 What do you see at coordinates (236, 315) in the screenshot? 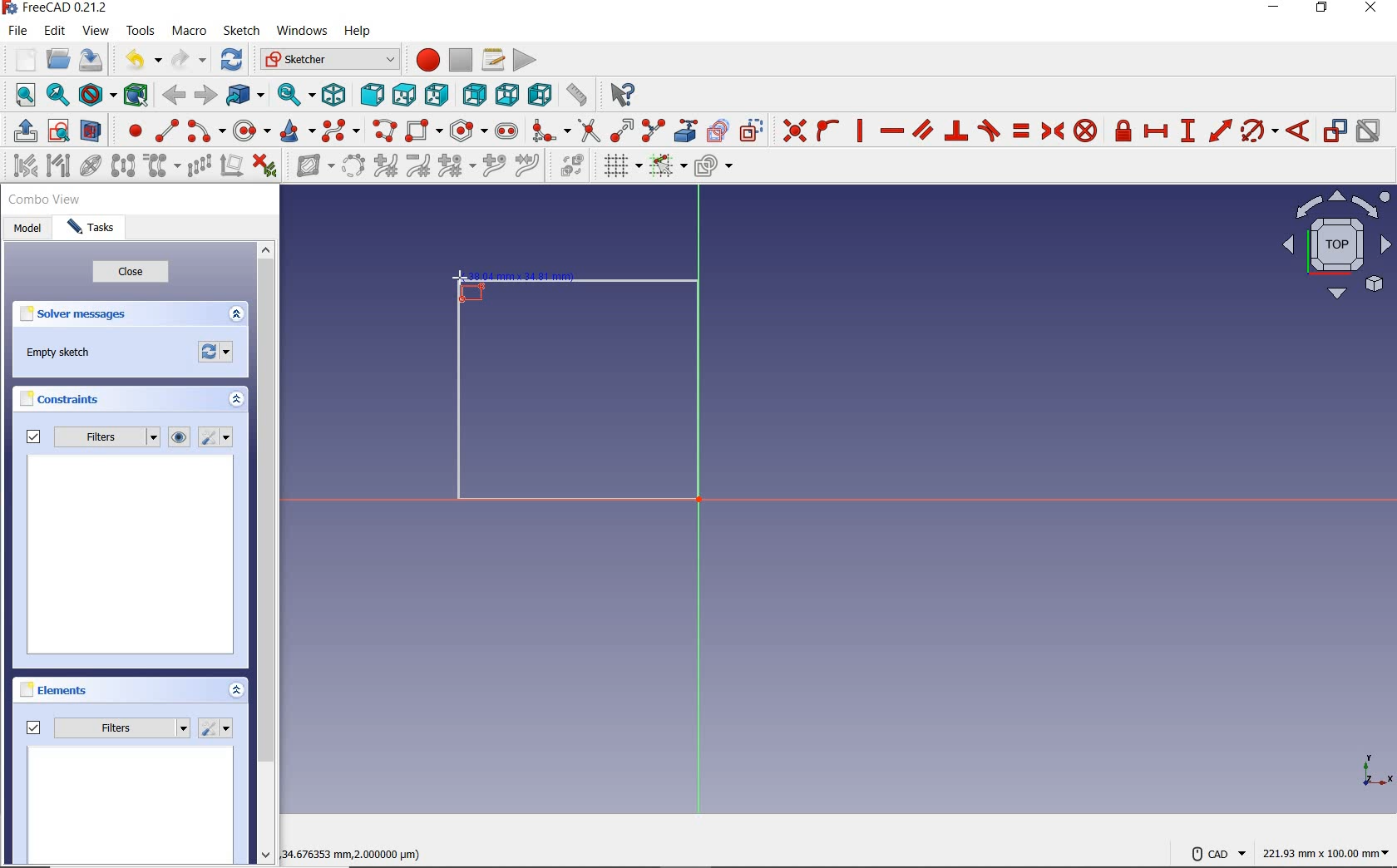
I see `expand` at bounding box center [236, 315].